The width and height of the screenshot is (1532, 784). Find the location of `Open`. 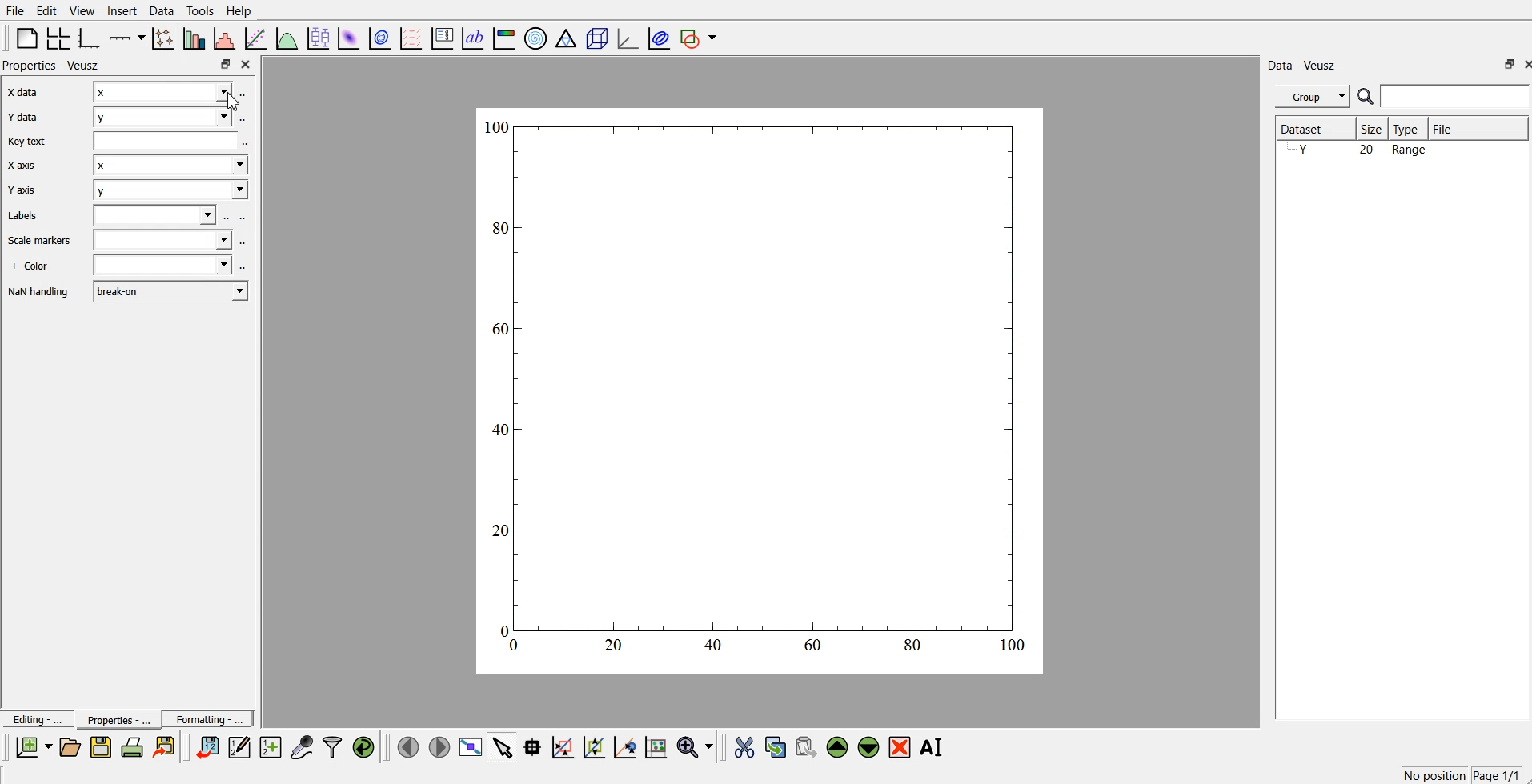

Open is located at coordinates (70, 746).